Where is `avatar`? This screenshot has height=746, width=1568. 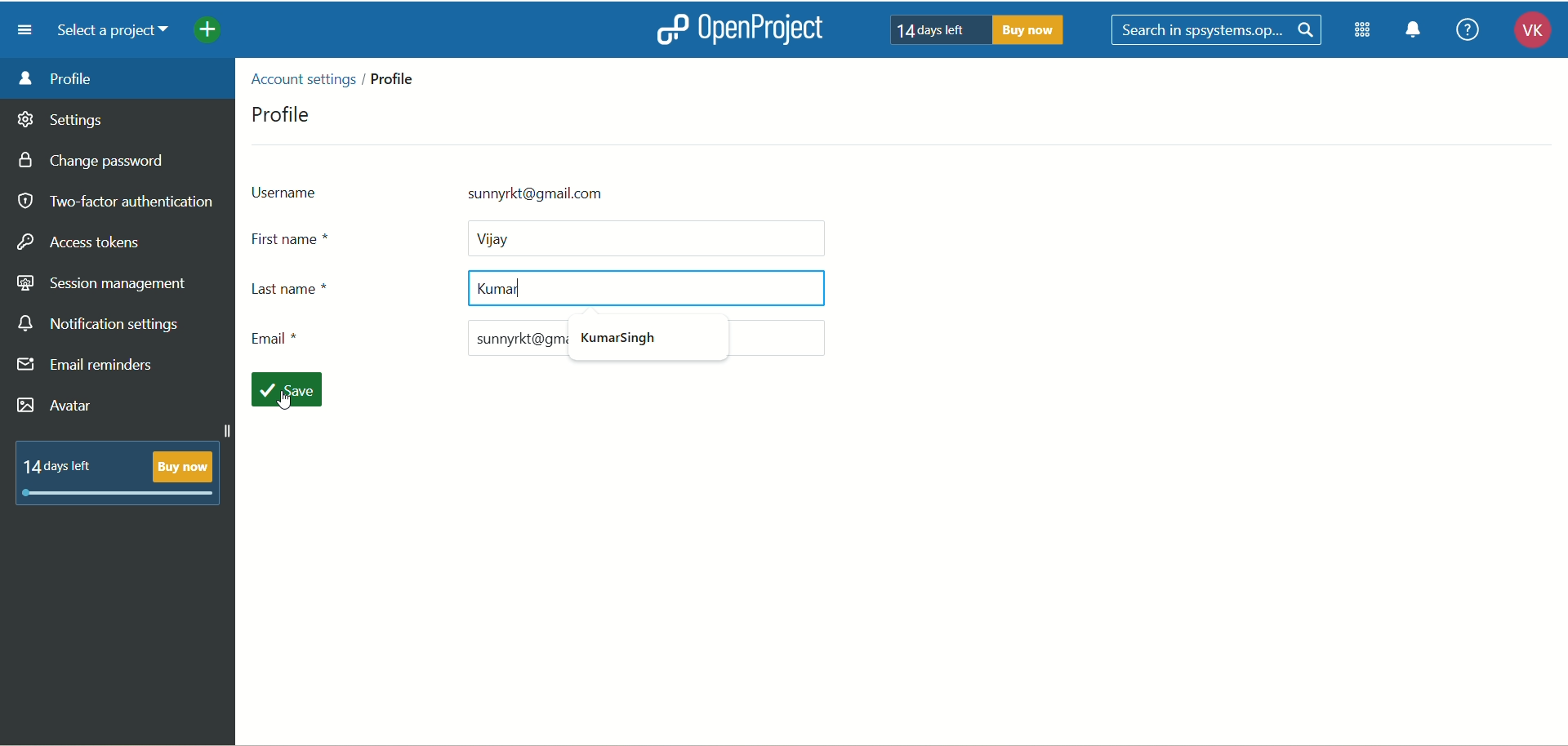
avatar is located at coordinates (56, 406).